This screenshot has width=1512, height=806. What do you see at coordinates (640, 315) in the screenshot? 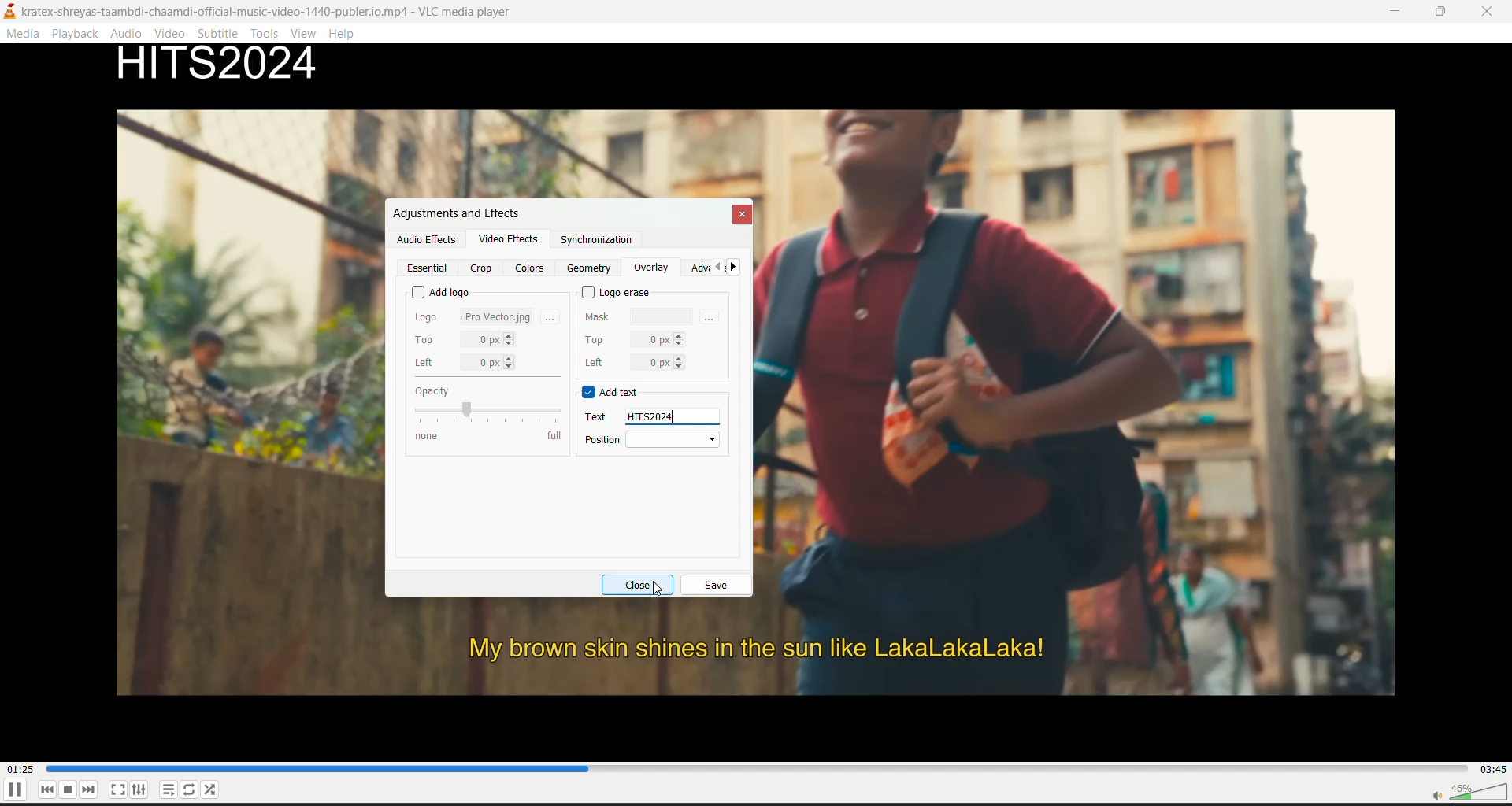
I see `mask` at bounding box center [640, 315].